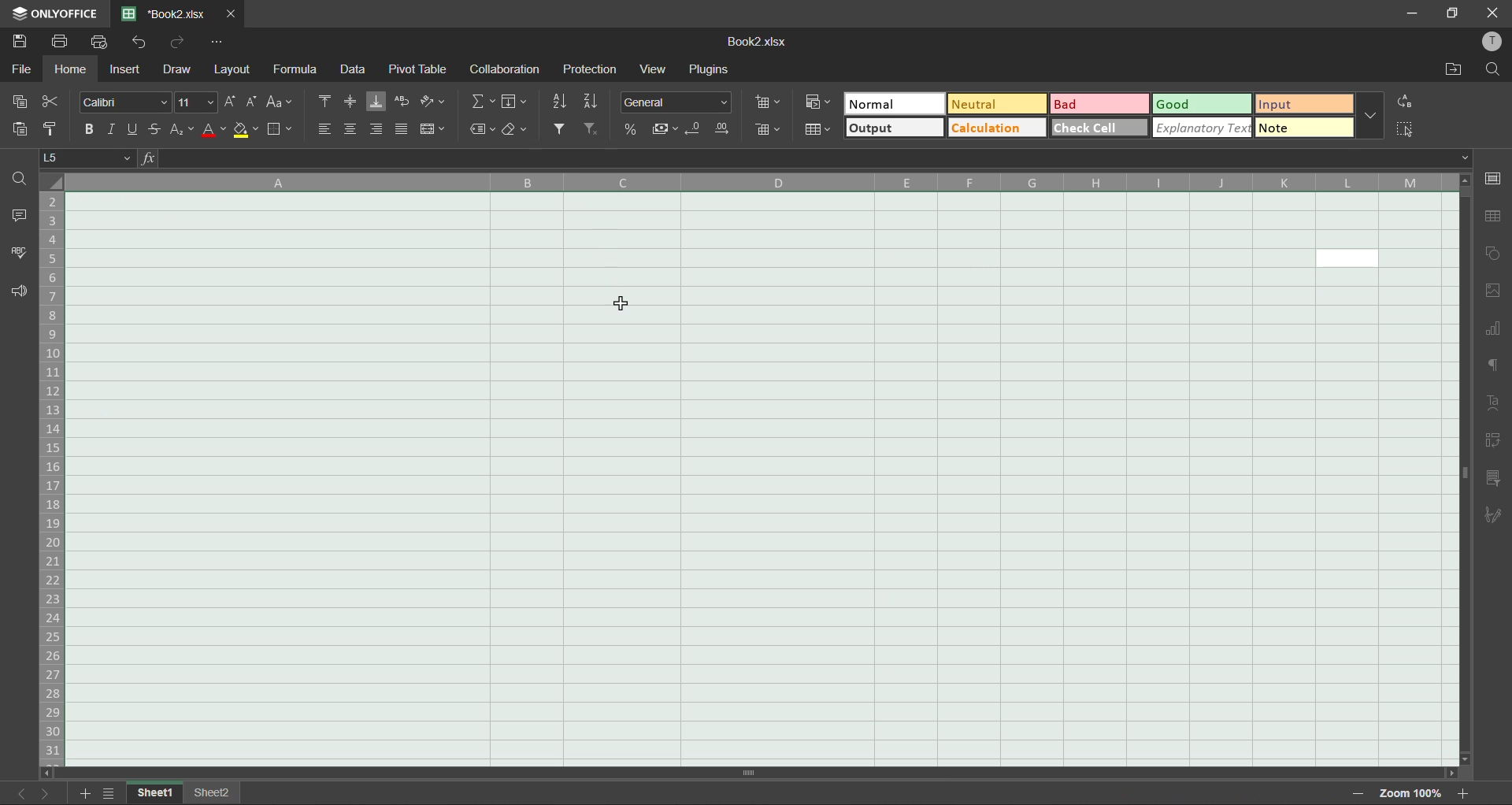 This screenshot has width=1512, height=805. What do you see at coordinates (103, 42) in the screenshot?
I see `quick print` at bounding box center [103, 42].